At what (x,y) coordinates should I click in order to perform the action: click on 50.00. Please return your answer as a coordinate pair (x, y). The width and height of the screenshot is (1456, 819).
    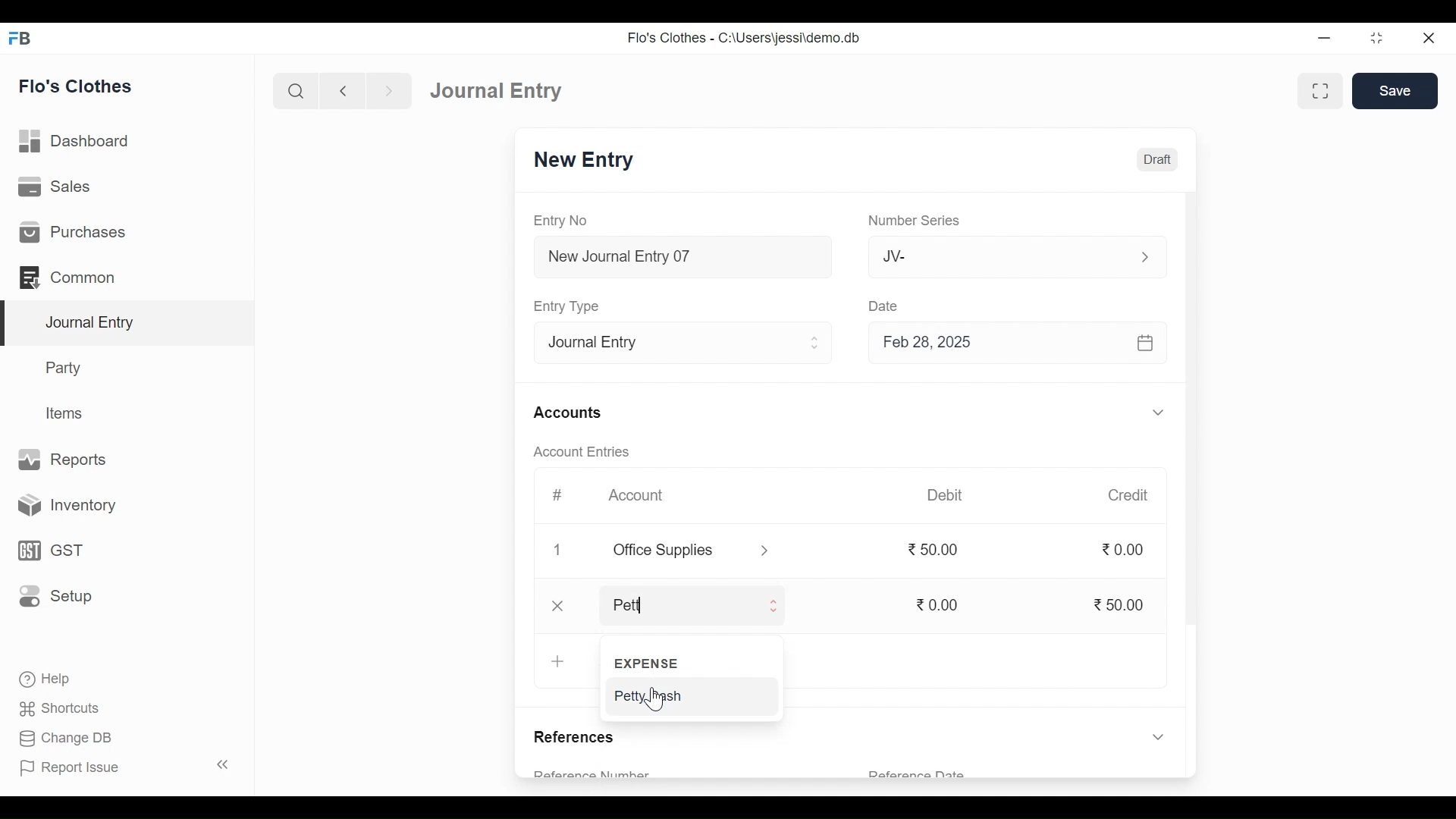
    Looking at the image, I should click on (939, 549).